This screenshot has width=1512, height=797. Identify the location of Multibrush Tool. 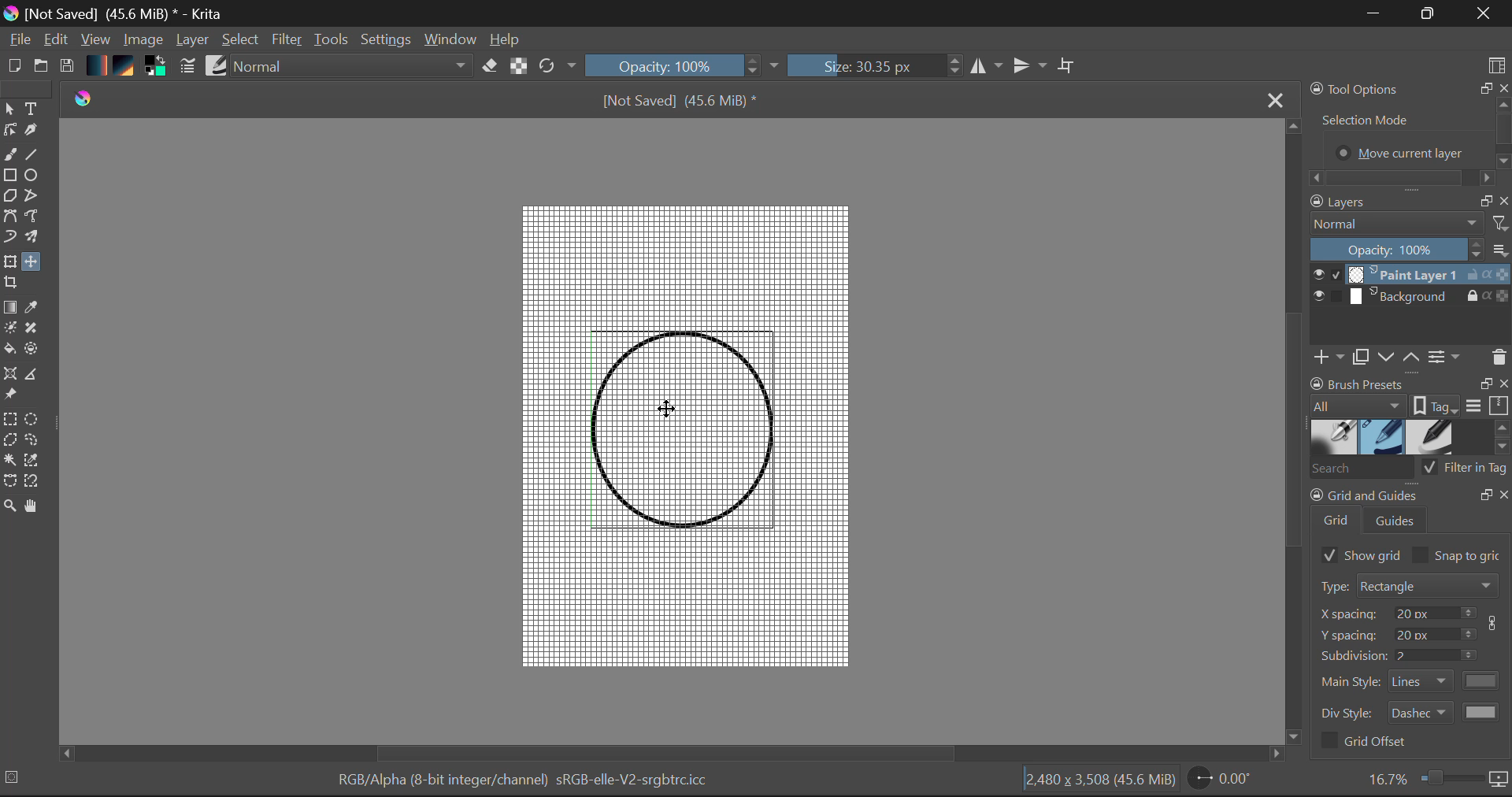
(38, 240).